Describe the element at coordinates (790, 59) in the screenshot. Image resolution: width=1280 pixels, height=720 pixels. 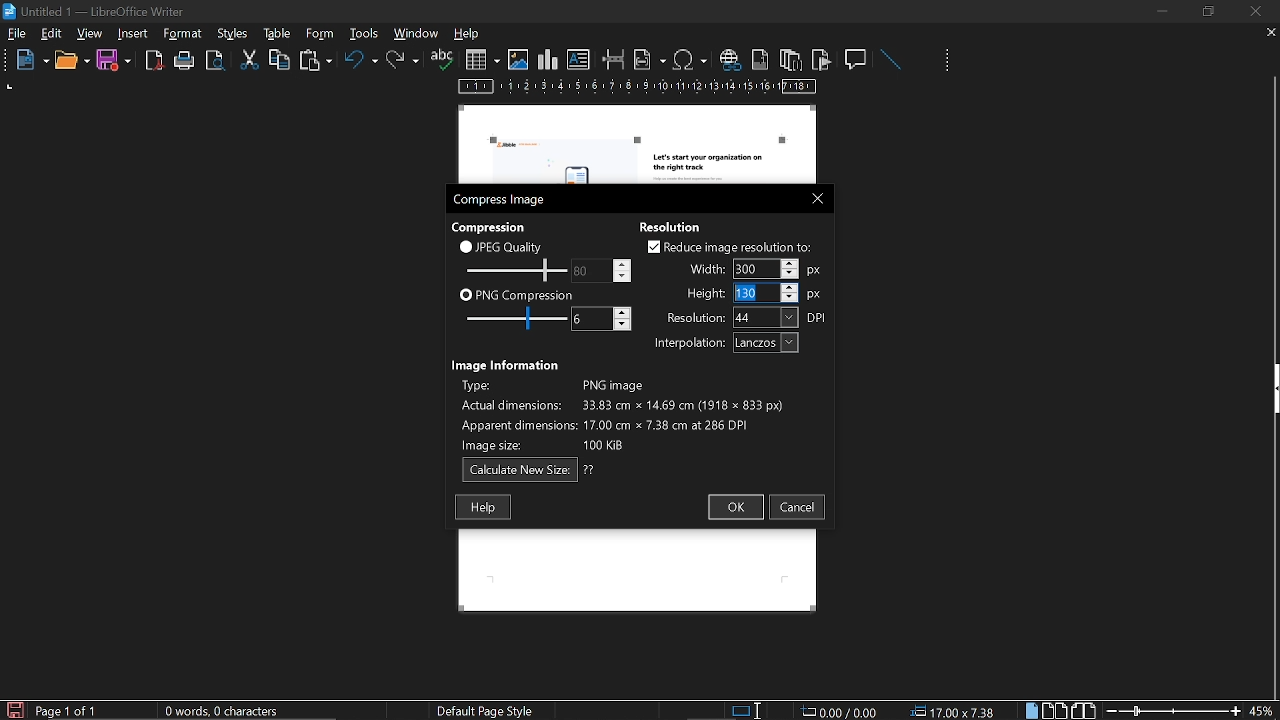
I see `insert endnote` at that location.